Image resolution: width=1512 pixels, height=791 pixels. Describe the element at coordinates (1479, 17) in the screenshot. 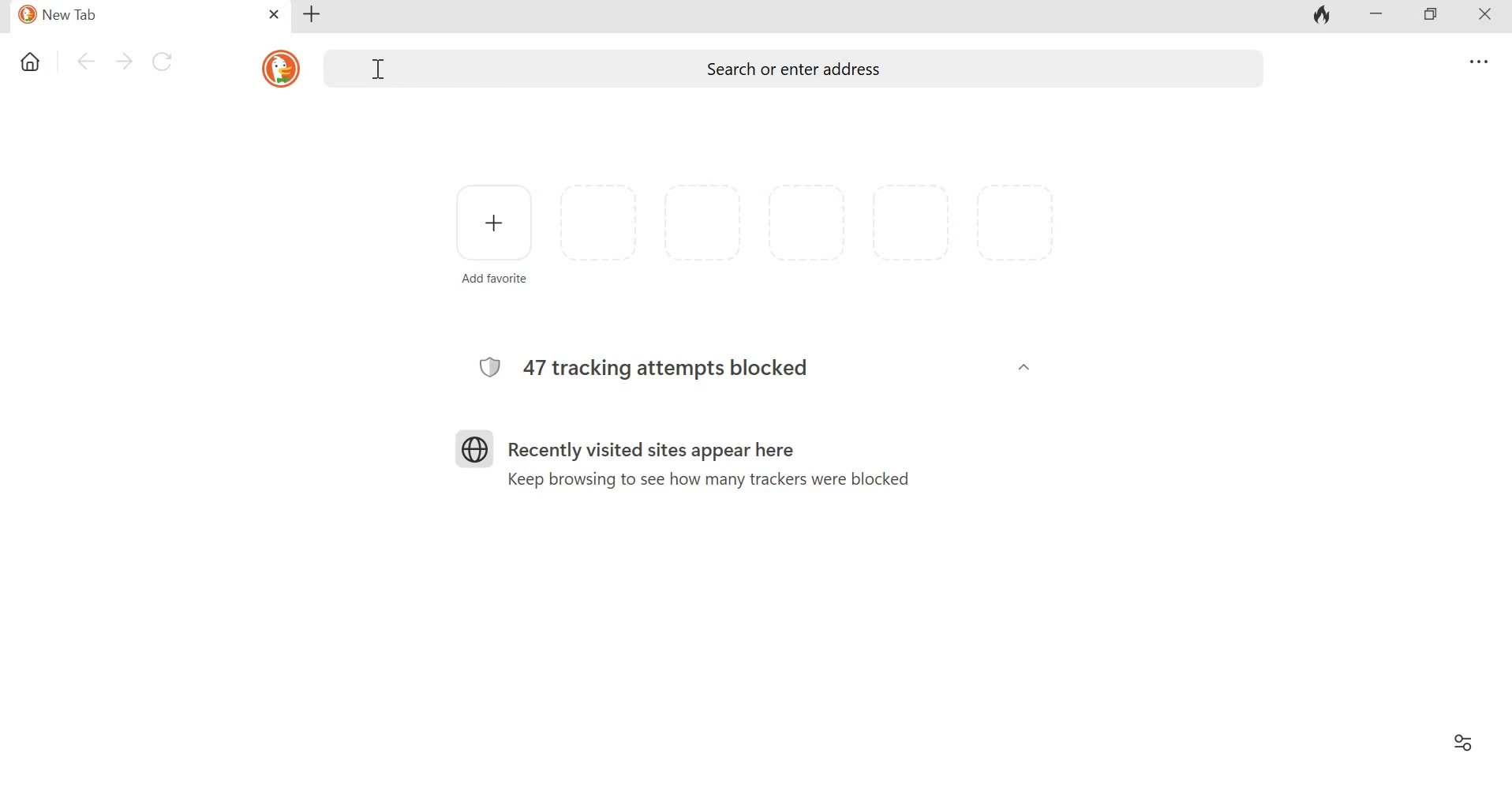

I see `Close` at that location.